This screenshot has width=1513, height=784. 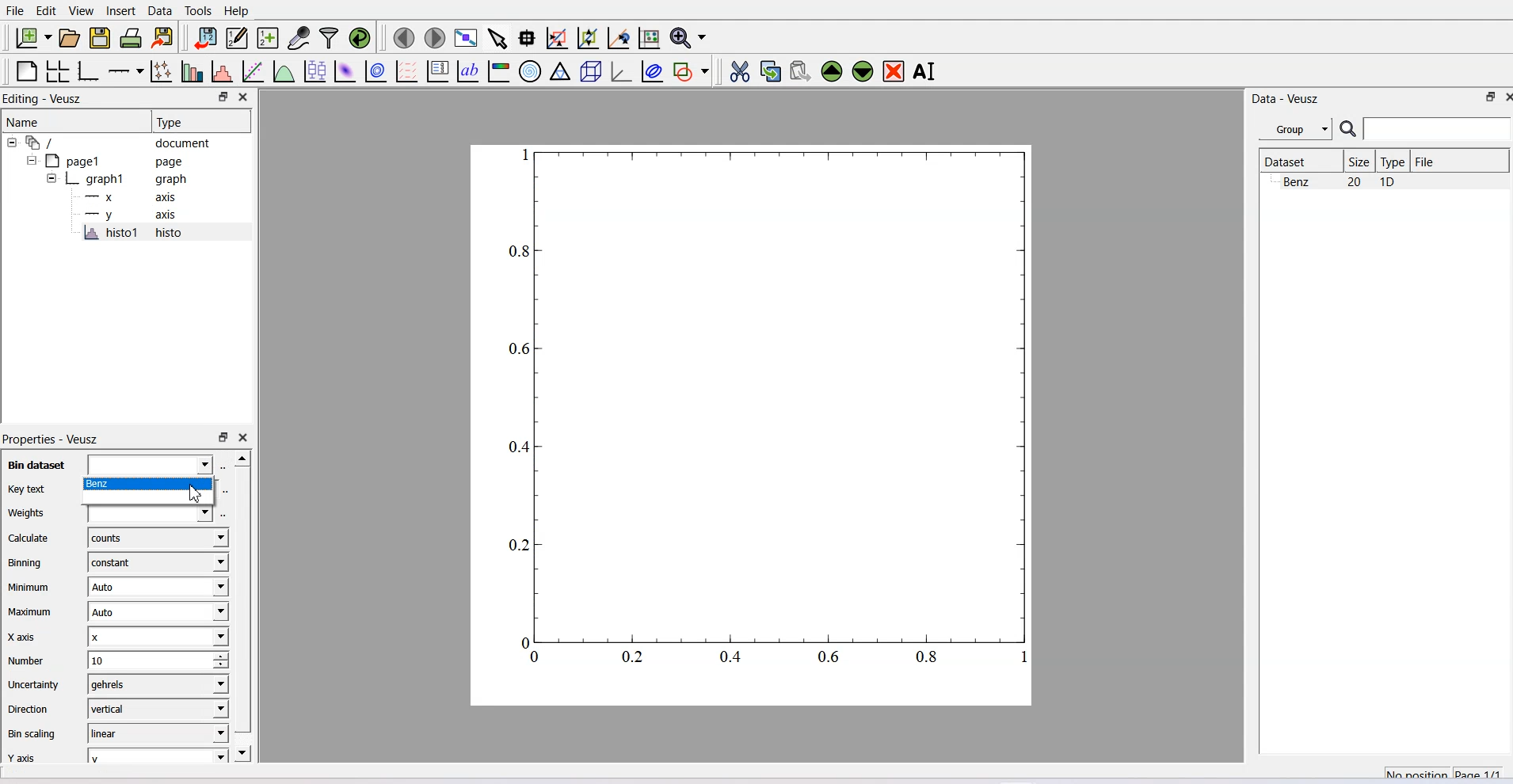 What do you see at coordinates (195, 492) in the screenshot?
I see `Cursor` at bounding box center [195, 492].